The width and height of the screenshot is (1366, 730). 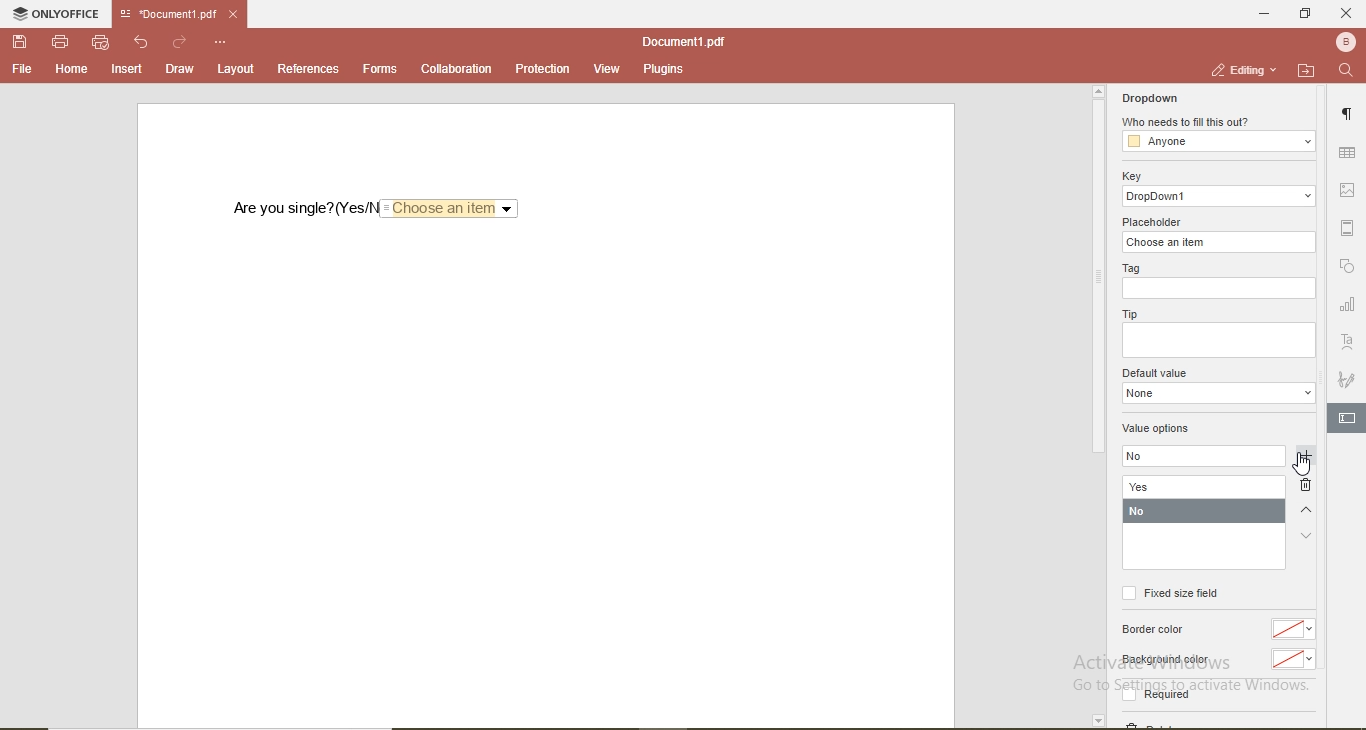 I want to click on empty box, so click(x=1218, y=290).